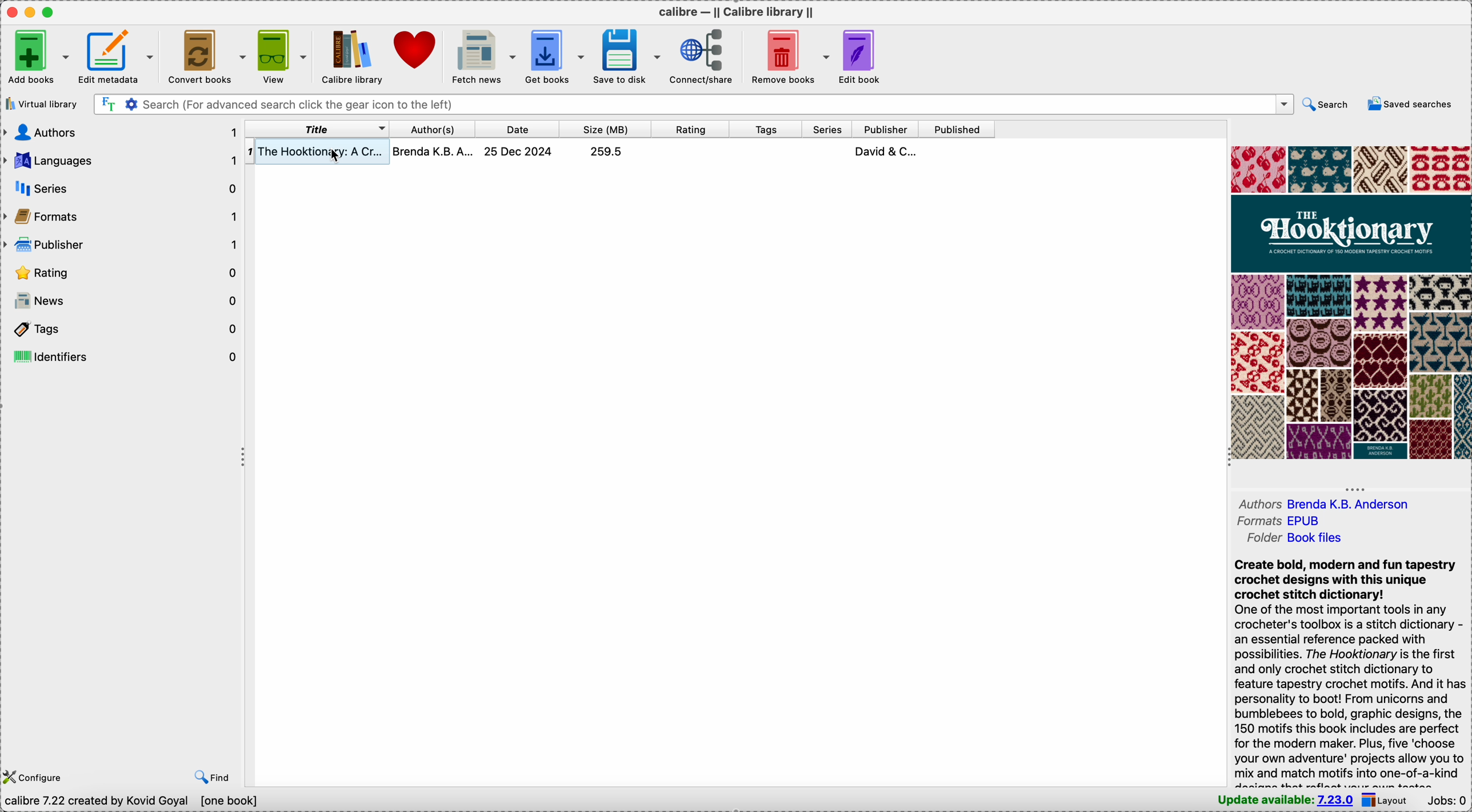 The image size is (1472, 812). What do you see at coordinates (694, 105) in the screenshot?
I see `search bar` at bounding box center [694, 105].